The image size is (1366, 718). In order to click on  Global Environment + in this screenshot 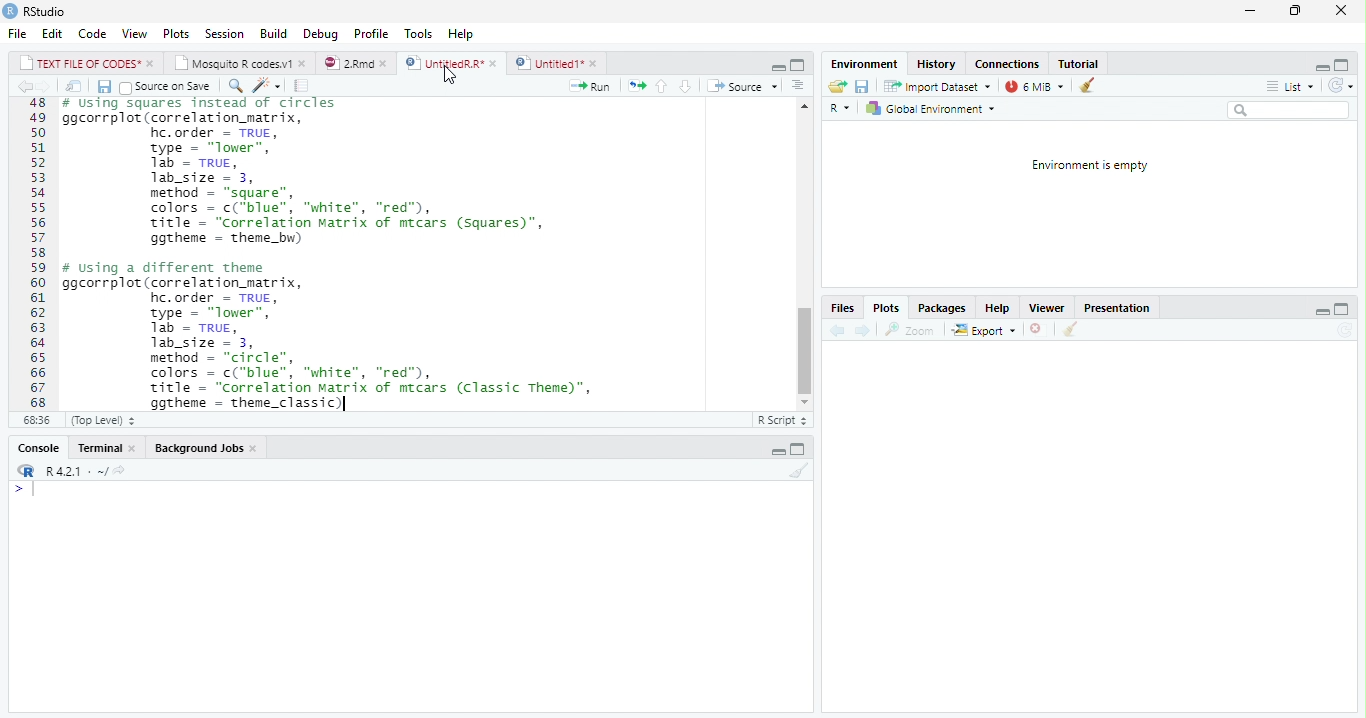, I will do `click(937, 109)`.